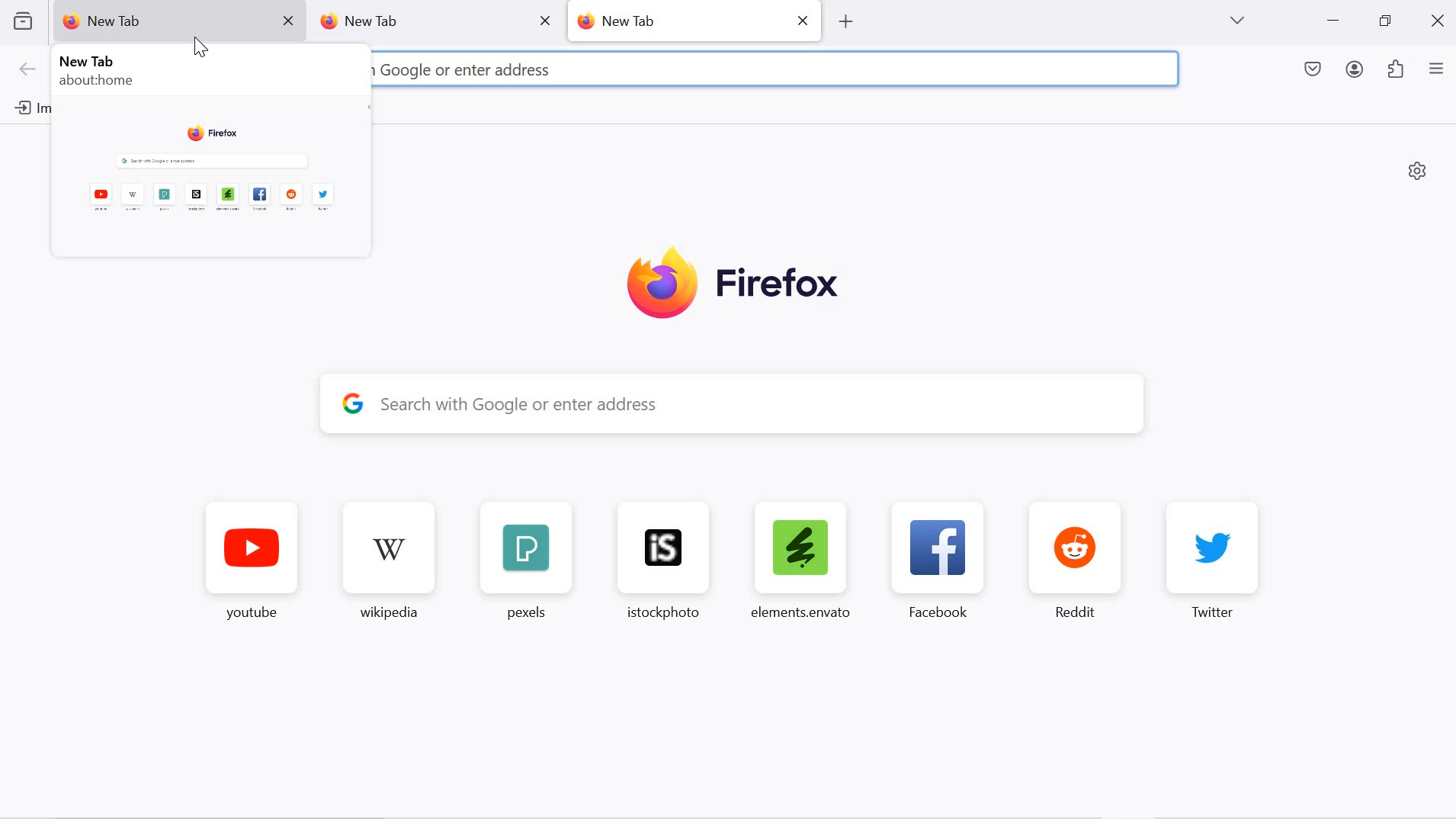 The width and height of the screenshot is (1456, 819). Describe the element at coordinates (523, 562) in the screenshot. I see `pexels favorite` at that location.